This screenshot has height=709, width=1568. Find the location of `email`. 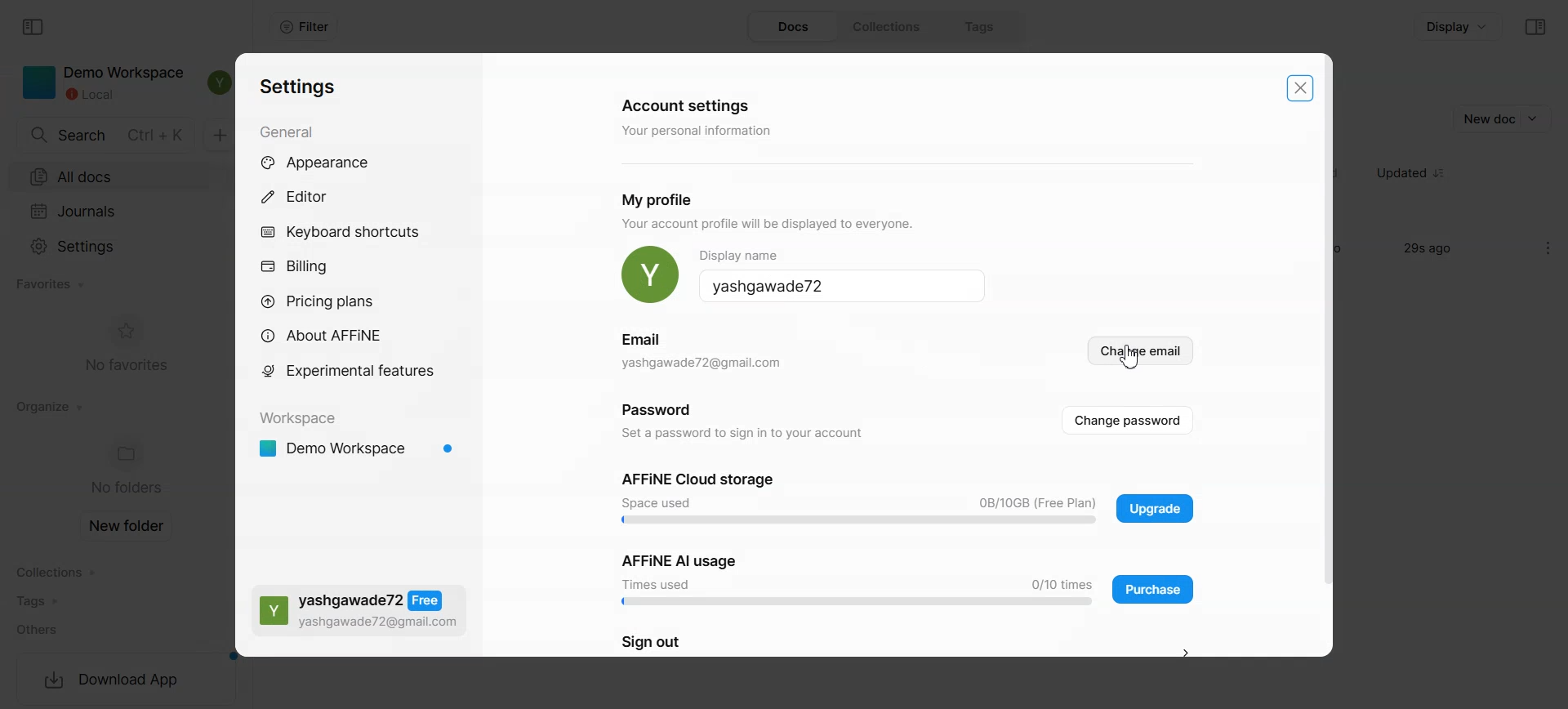

email is located at coordinates (639, 337).